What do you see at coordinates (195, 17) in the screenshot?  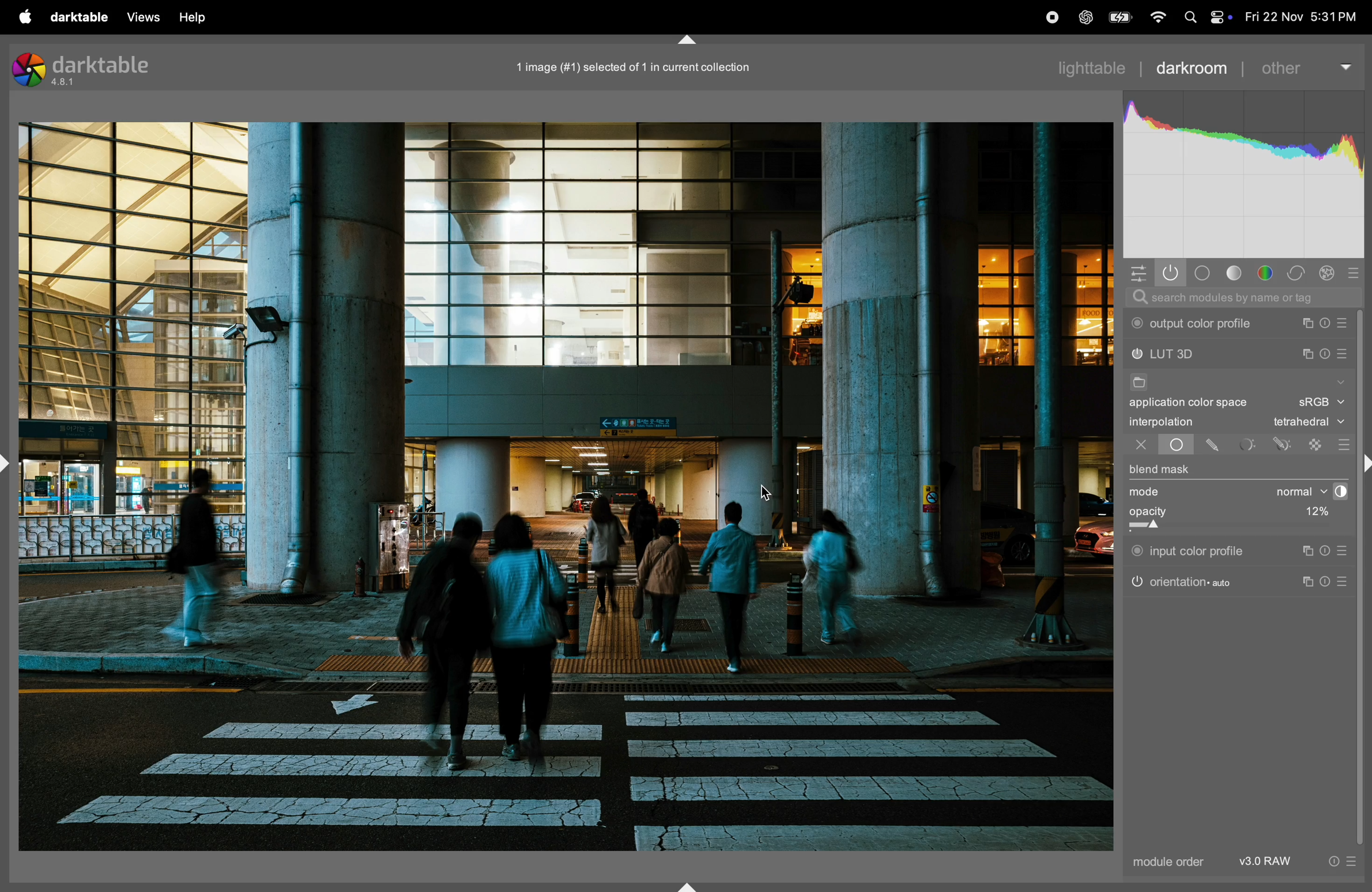 I see `help` at bounding box center [195, 17].